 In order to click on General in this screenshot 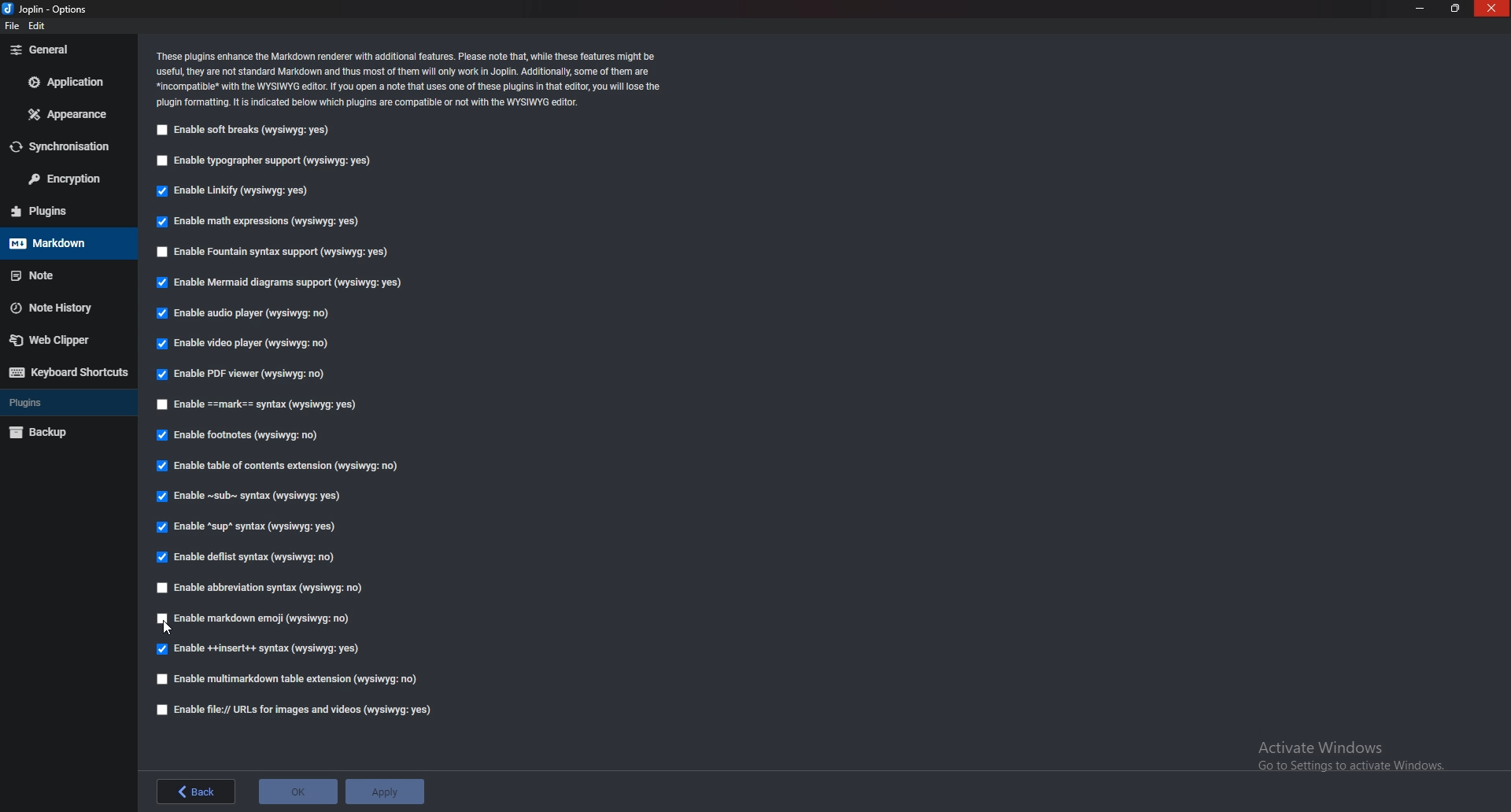, I will do `click(65, 50)`.